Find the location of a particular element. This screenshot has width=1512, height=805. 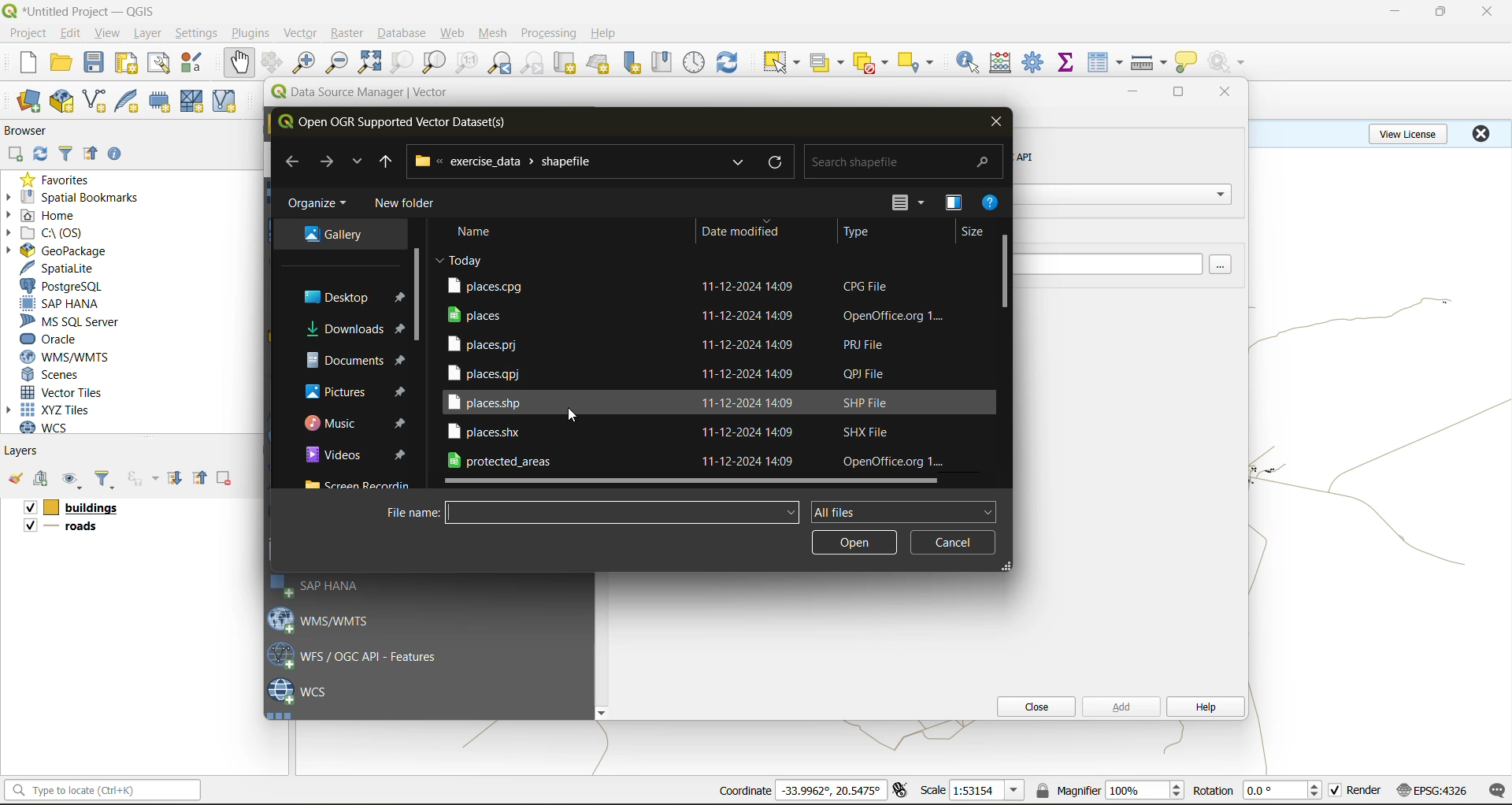

file/folder names is located at coordinates (671, 402).